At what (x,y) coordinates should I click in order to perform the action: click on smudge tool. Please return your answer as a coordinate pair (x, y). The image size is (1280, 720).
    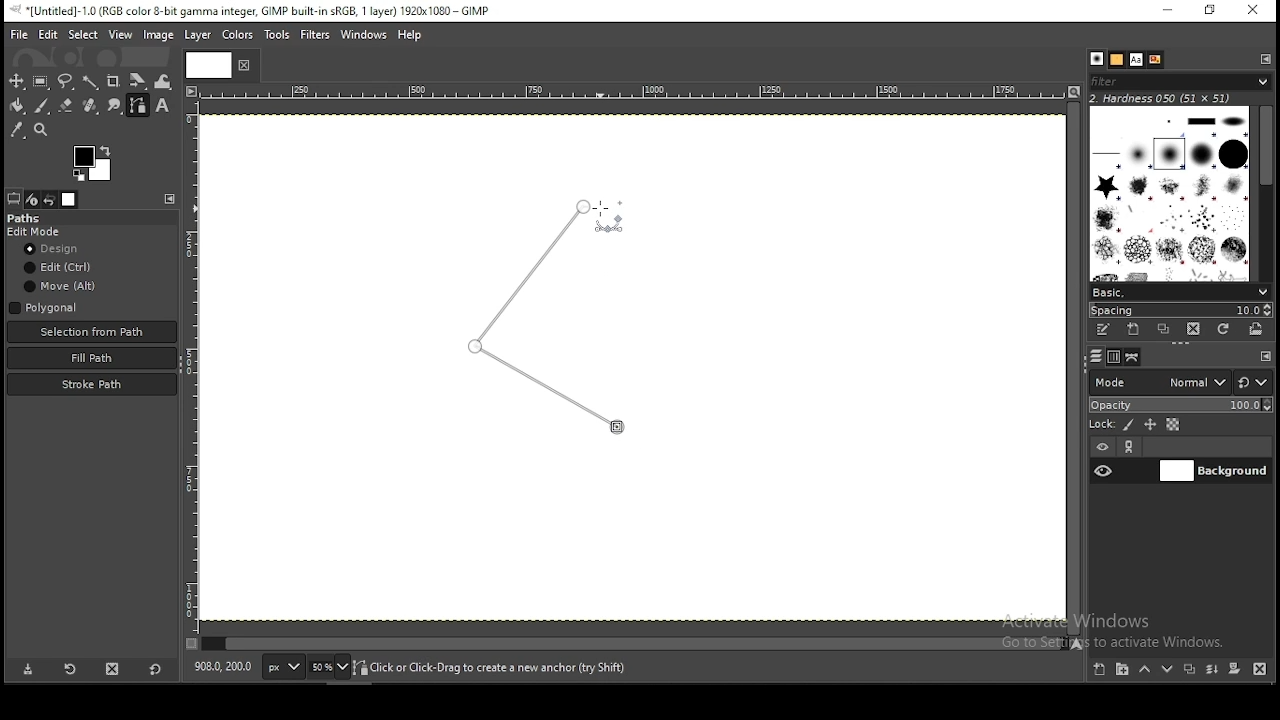
    Looking at the image, I should click on (115, 106).